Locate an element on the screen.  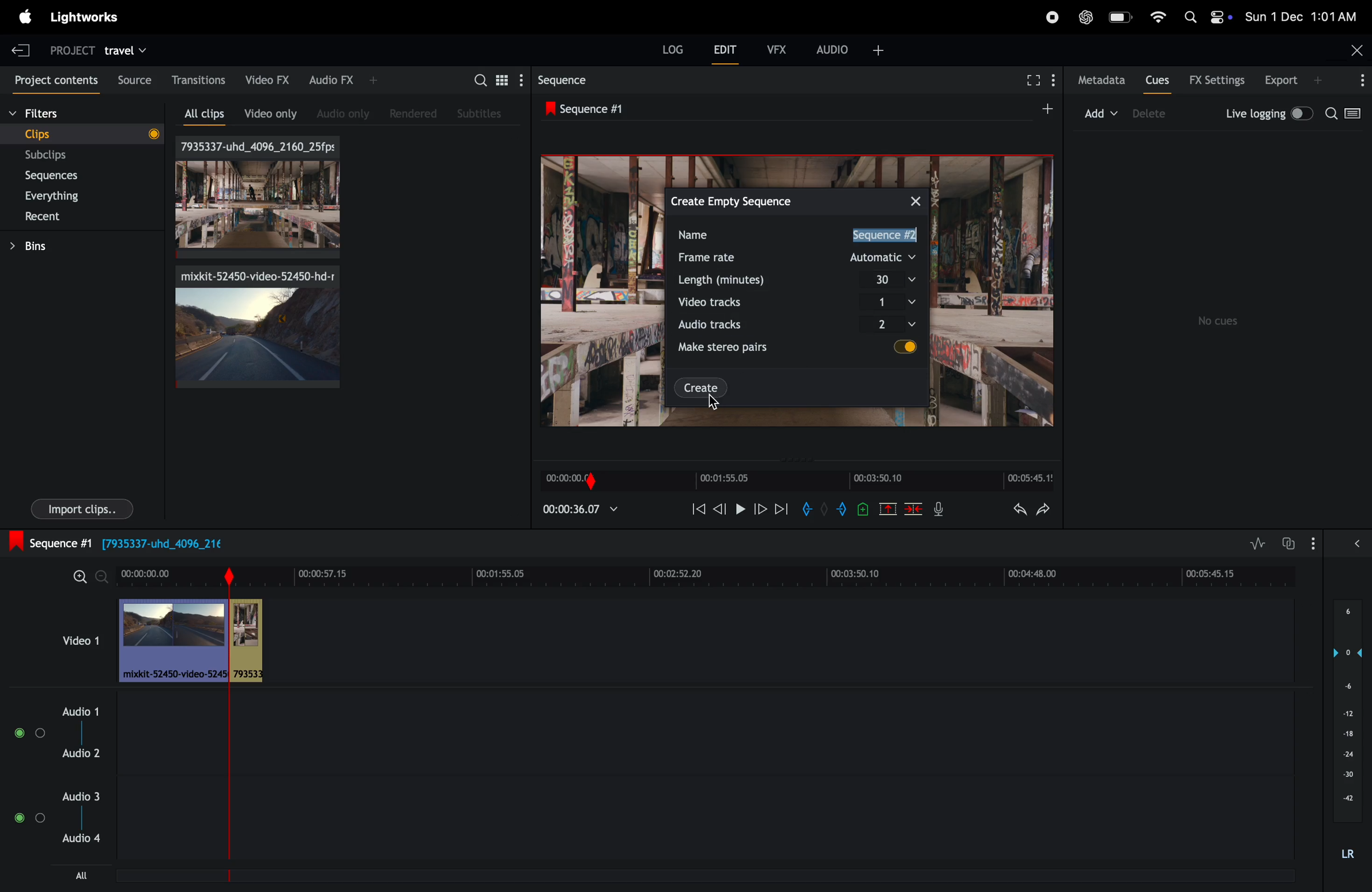
metadata is located at coordinates (1103, 81).